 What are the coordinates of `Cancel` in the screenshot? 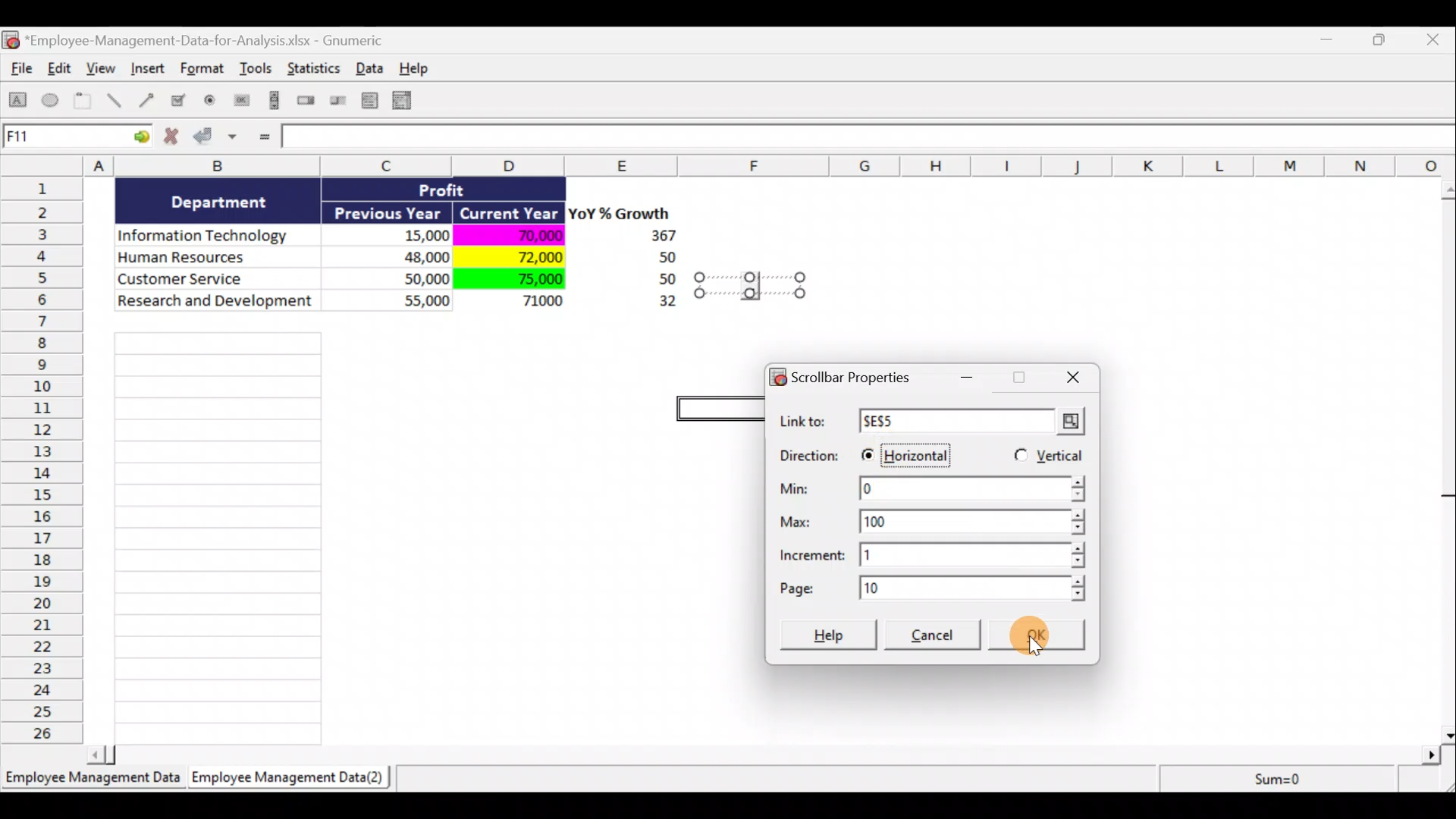 It's located at (935, 637).